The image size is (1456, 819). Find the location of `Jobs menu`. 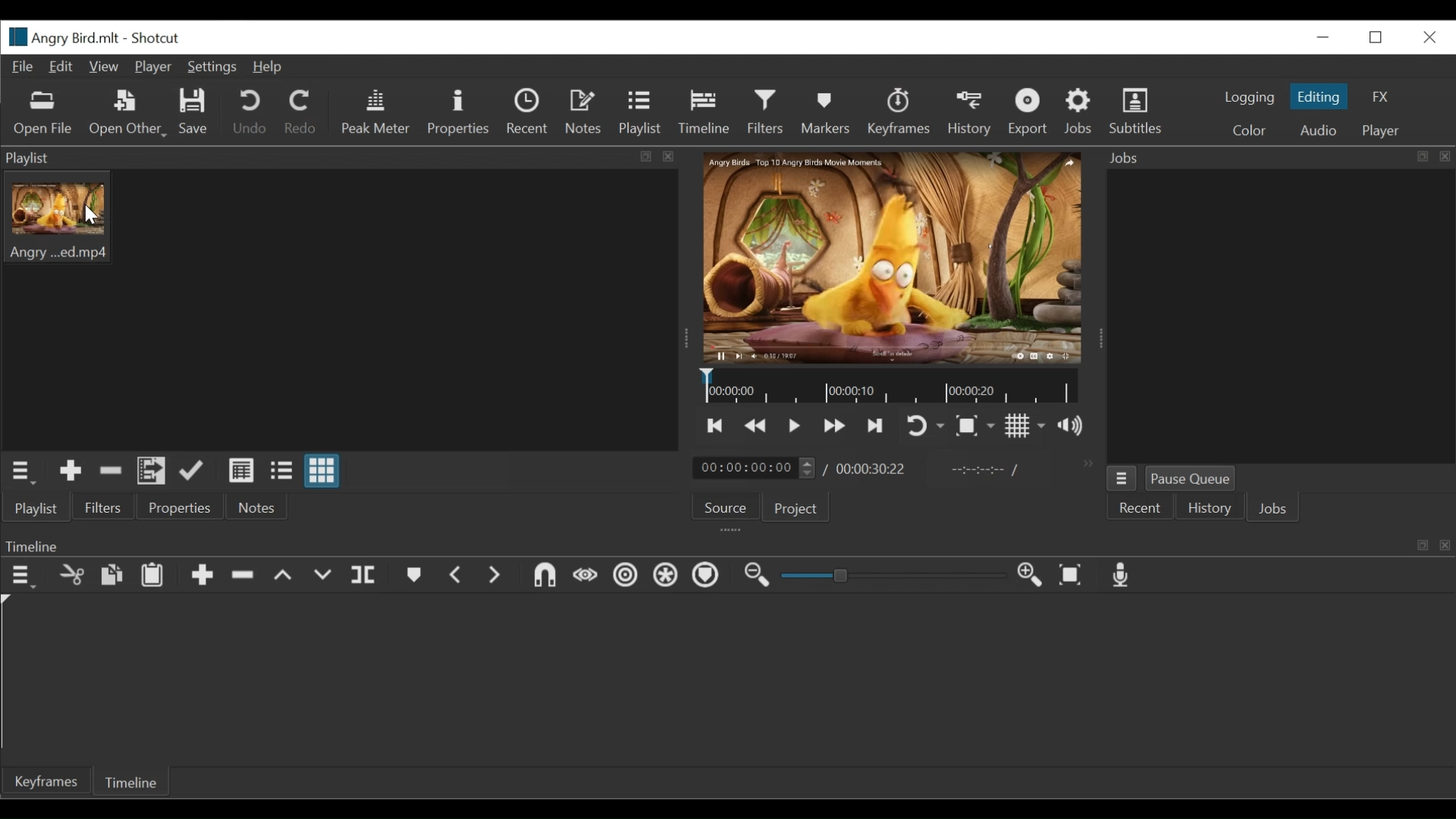

Jobs menu is located at coordinates (1122, 478).